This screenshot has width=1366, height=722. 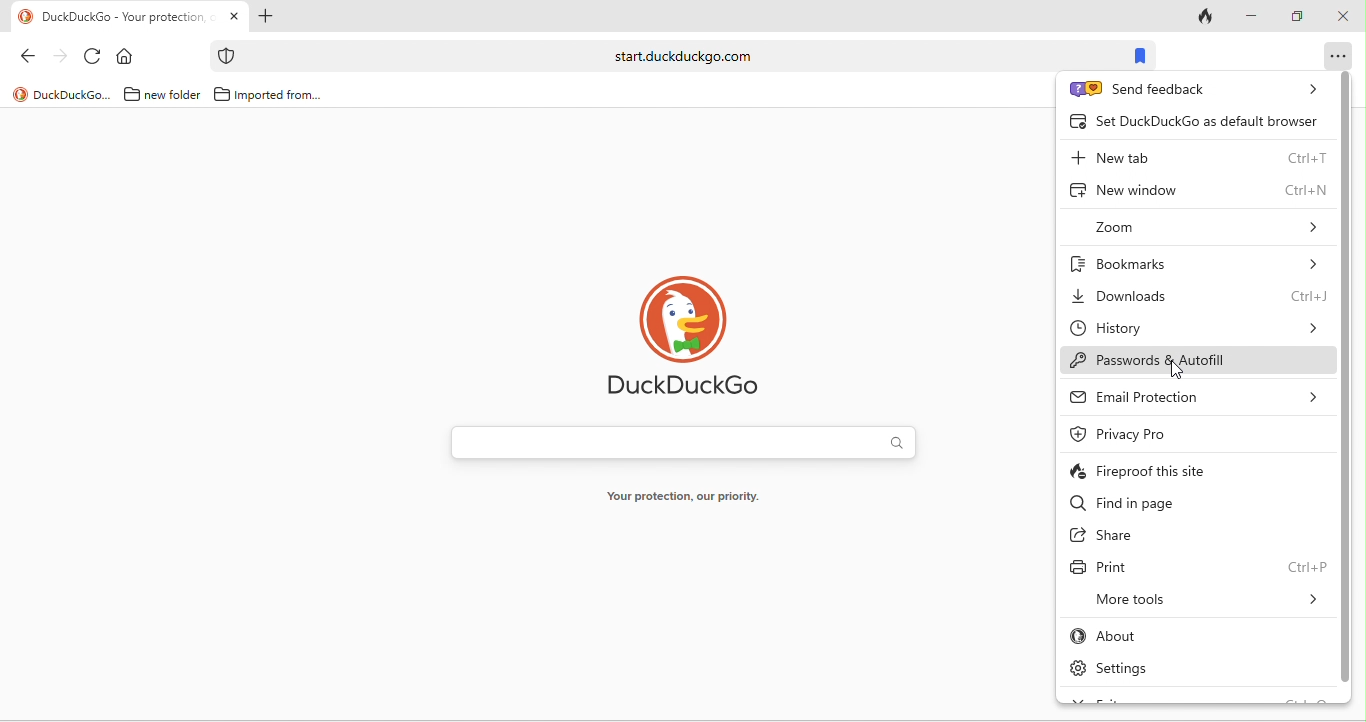 What do you see at coordinates (1196, 300) in the screenshot?
I see `downloads` at bounding box center [1196, 300].